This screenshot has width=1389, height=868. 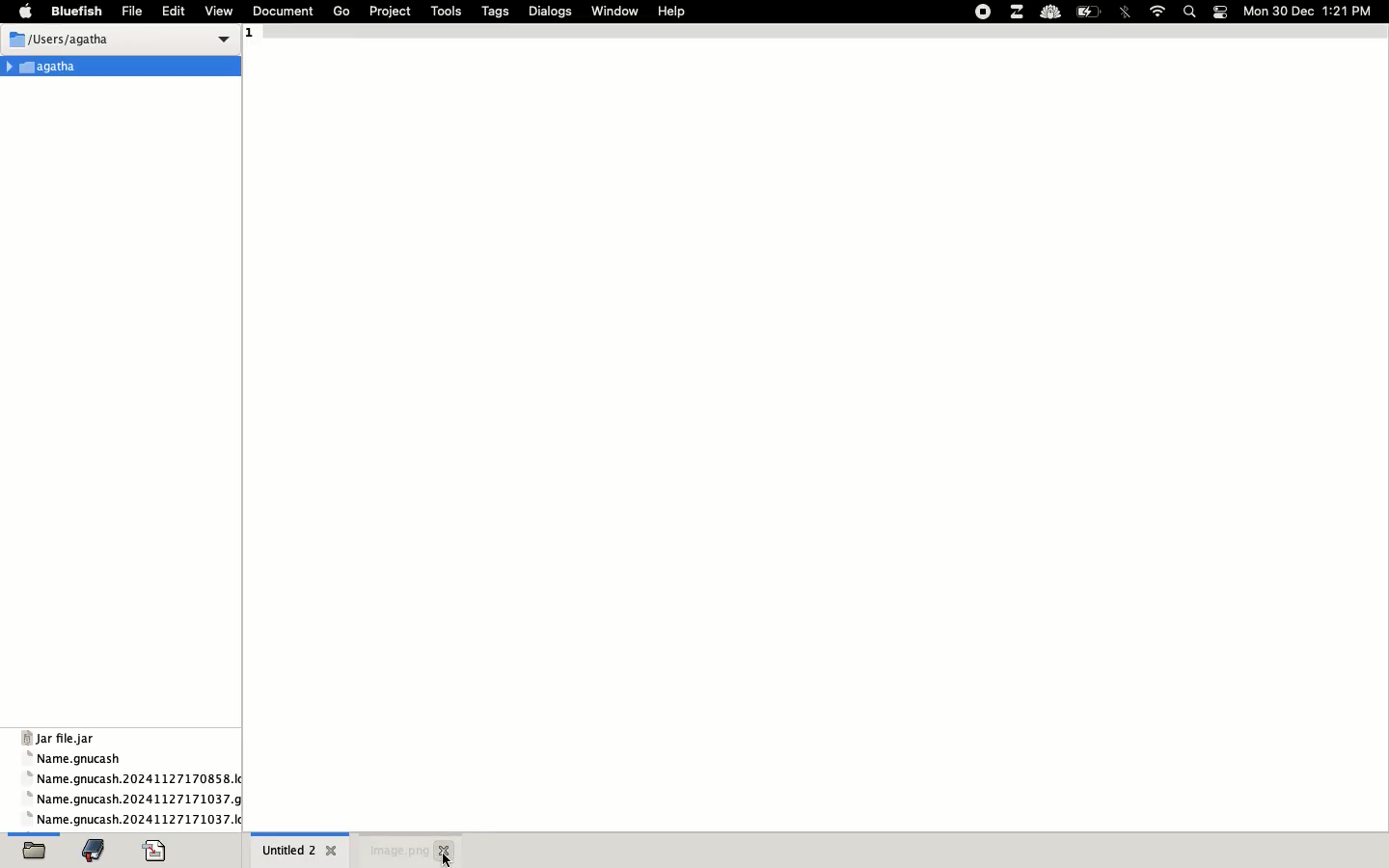 I want to click on name, so click(x=134, y=819).